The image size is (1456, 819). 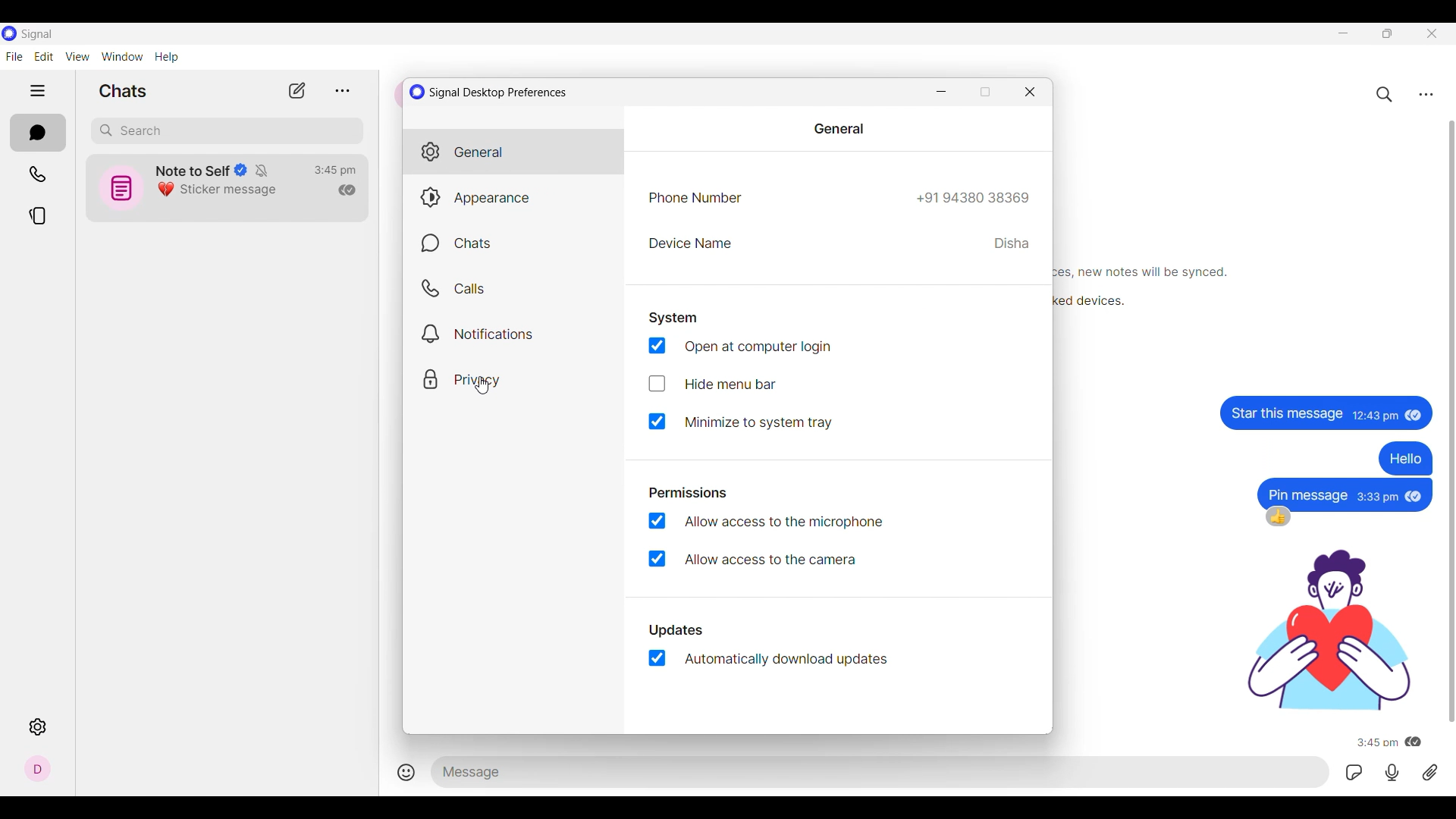 I want to click on Software logo, so click(x=10, y=33).